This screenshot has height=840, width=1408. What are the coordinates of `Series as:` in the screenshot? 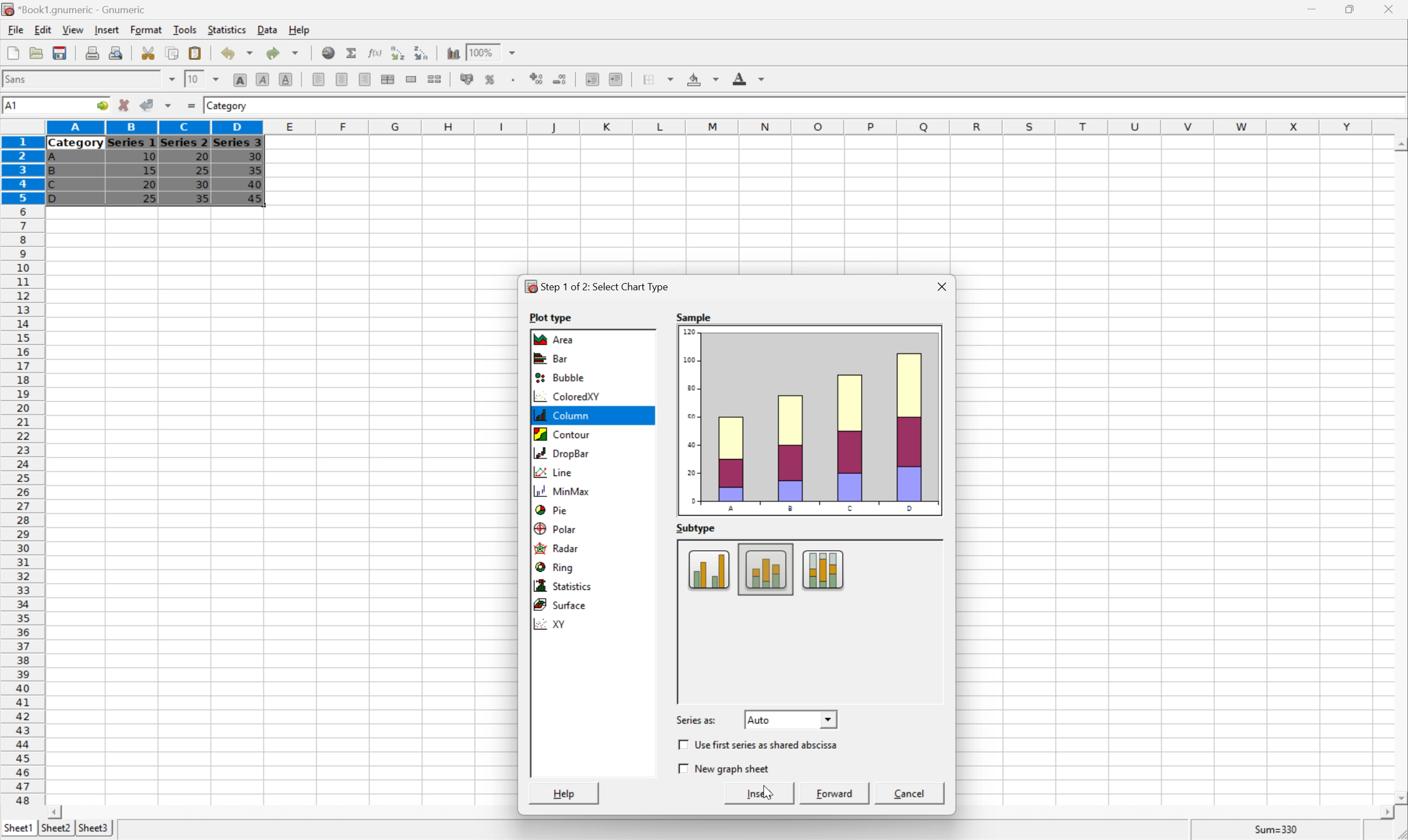 It's located at (696, 719).